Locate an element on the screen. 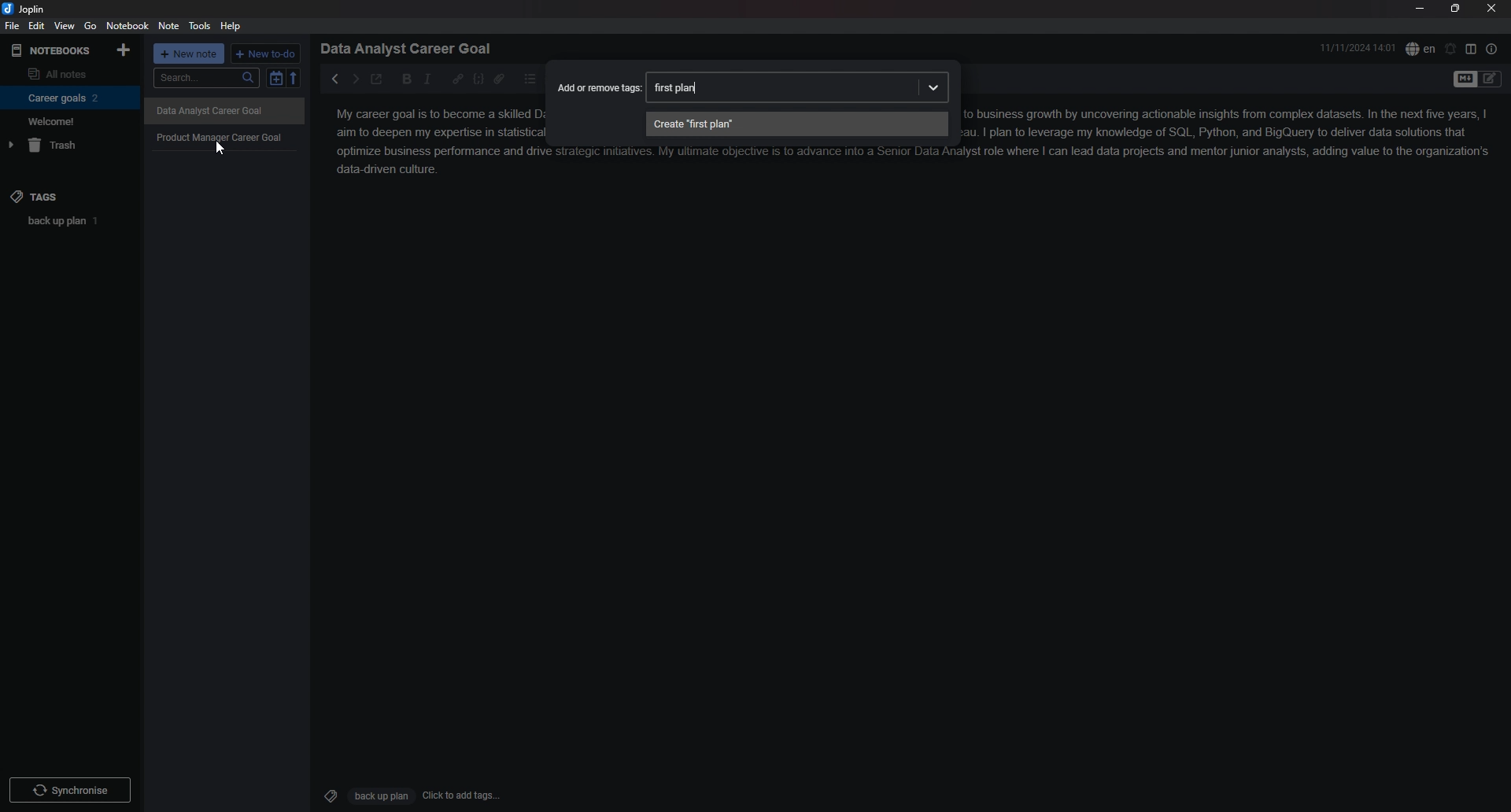  close is located at coordinates (1491, 8).